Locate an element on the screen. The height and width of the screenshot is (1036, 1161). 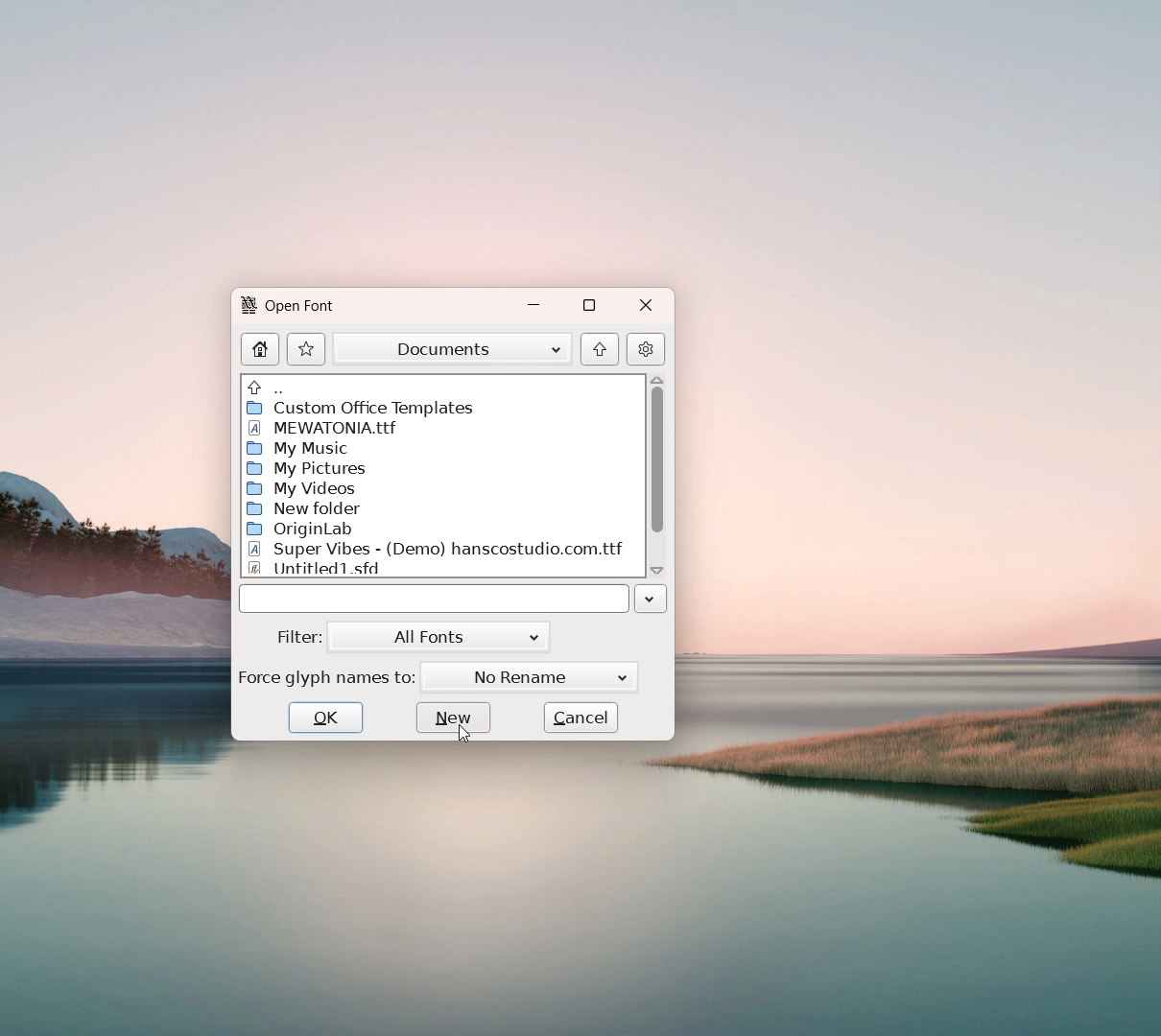
name of selected file is located at coordinates (431, 600).